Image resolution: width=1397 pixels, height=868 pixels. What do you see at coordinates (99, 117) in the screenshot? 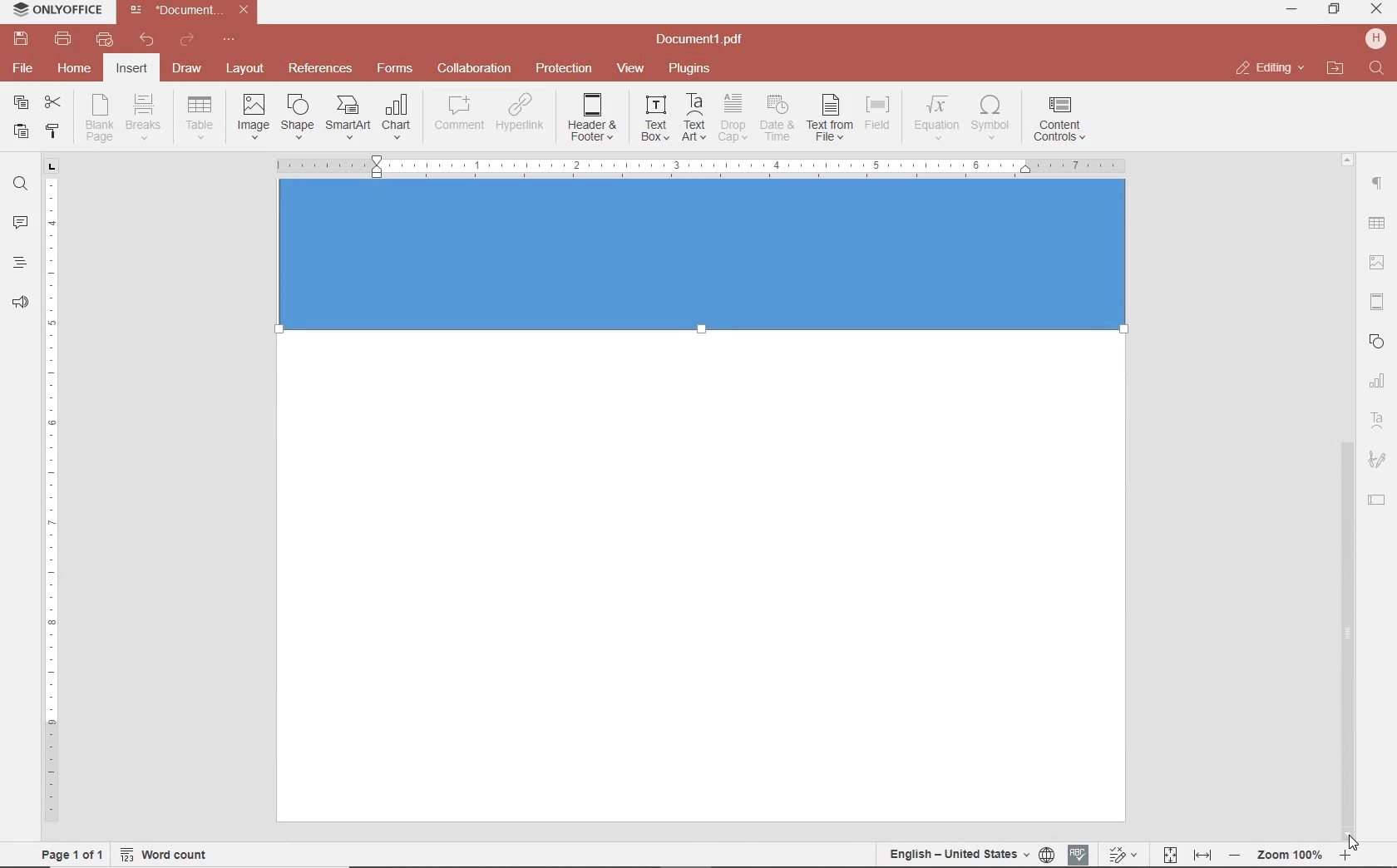
I see `INSERT BLANK PAGE` at bounding box center [99, 117].